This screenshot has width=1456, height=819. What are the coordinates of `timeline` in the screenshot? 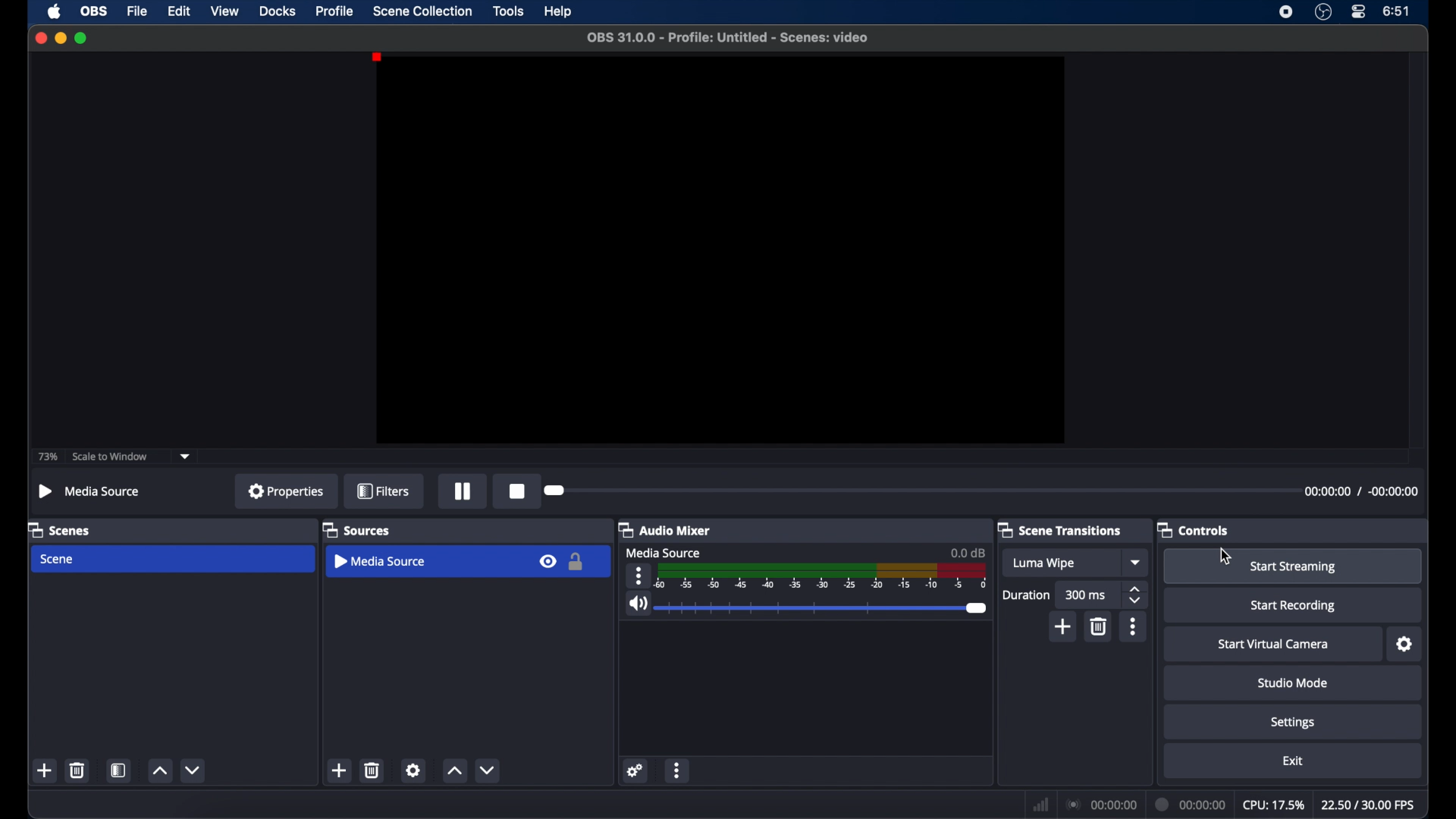 It's located at (822, 576).